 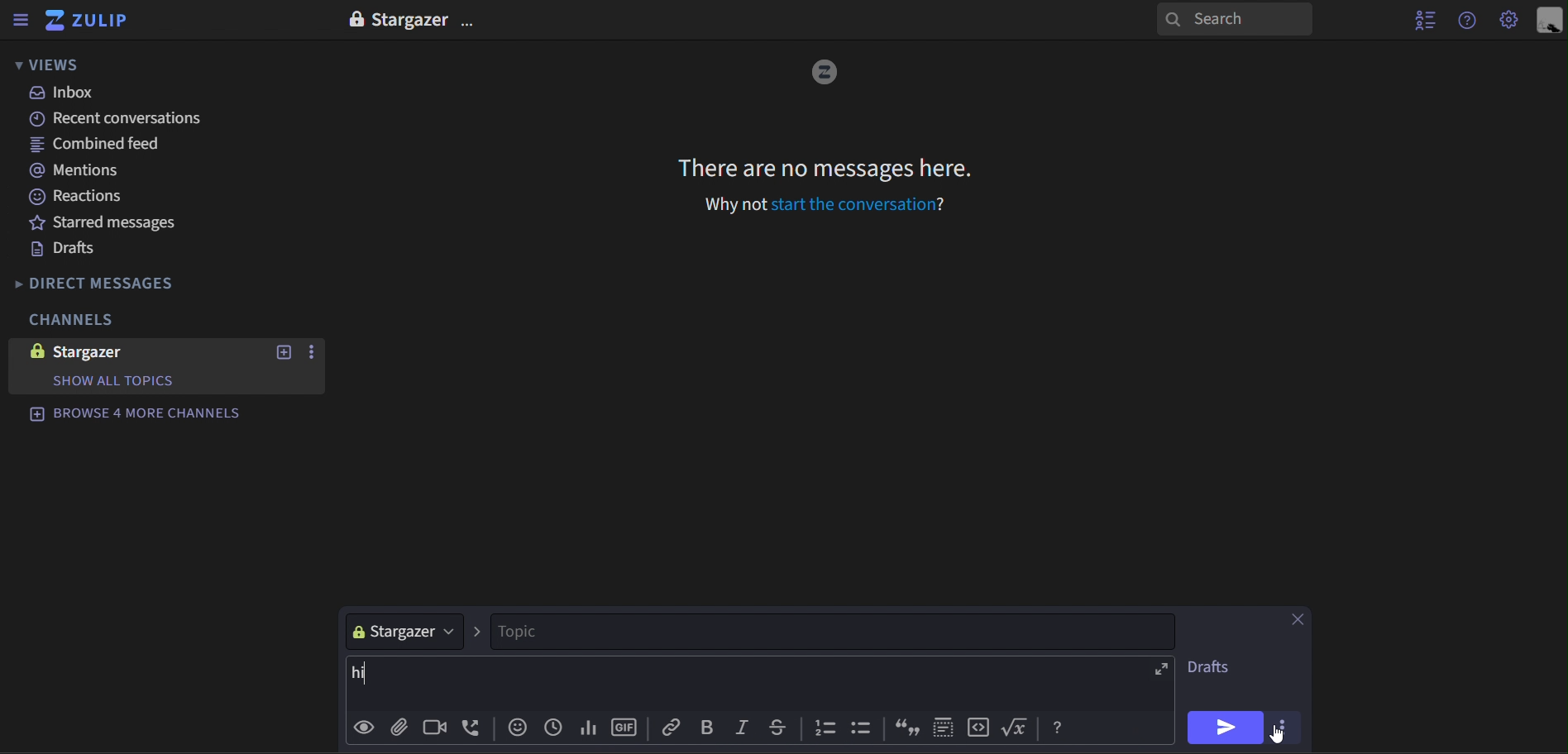 What do you see at coordinates (92, 282) in the screenshot?
I see `direct messages` at bounding box center [92, 282].